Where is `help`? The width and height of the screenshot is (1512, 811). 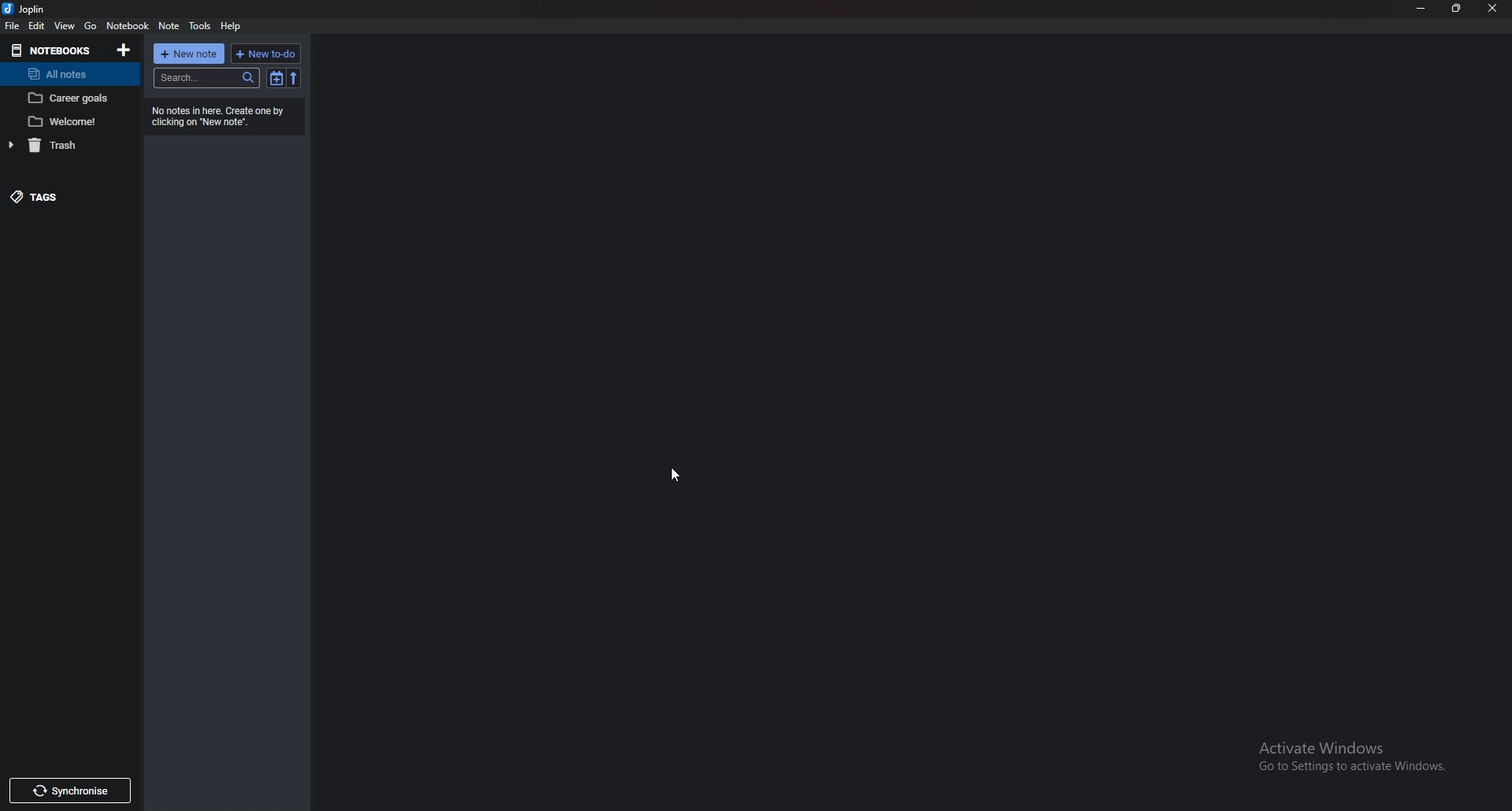 help is located at coordinates (231, 26).